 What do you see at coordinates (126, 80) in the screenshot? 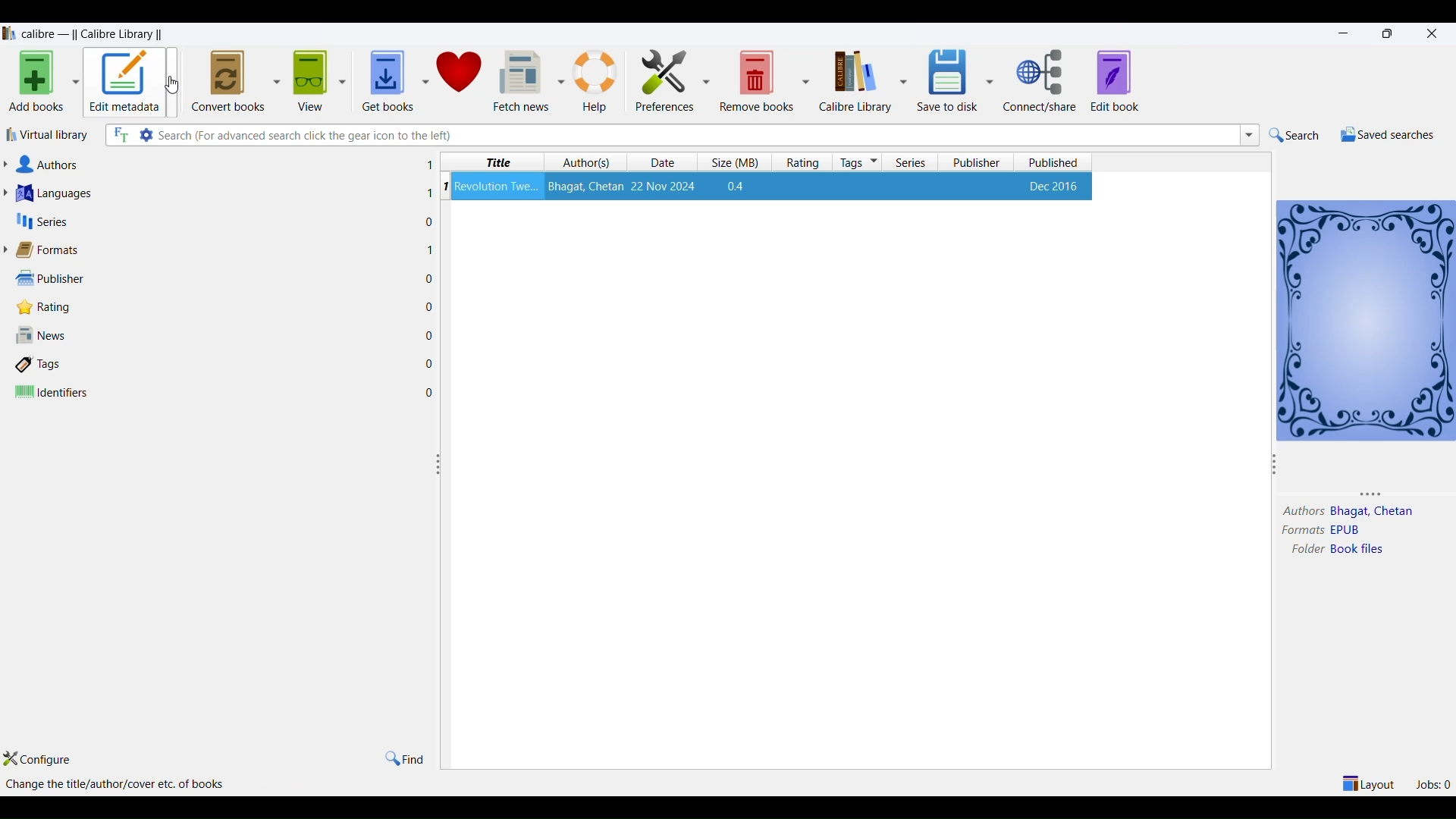
I see `edit metadata` at bounding box center [126, 80].